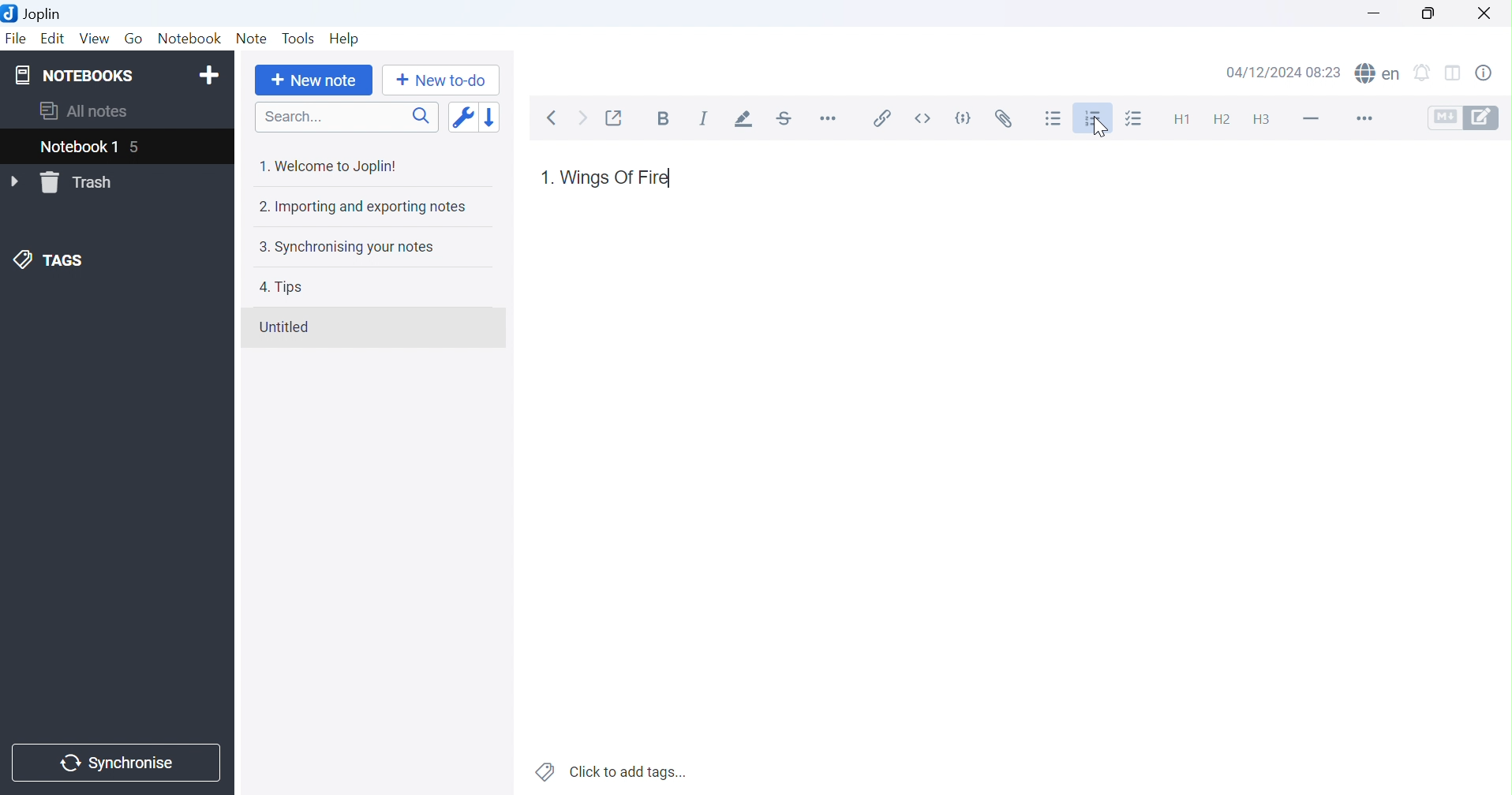 The height and width of the screenshot is (795, 1512). I want to click on File, so click(16, 39).